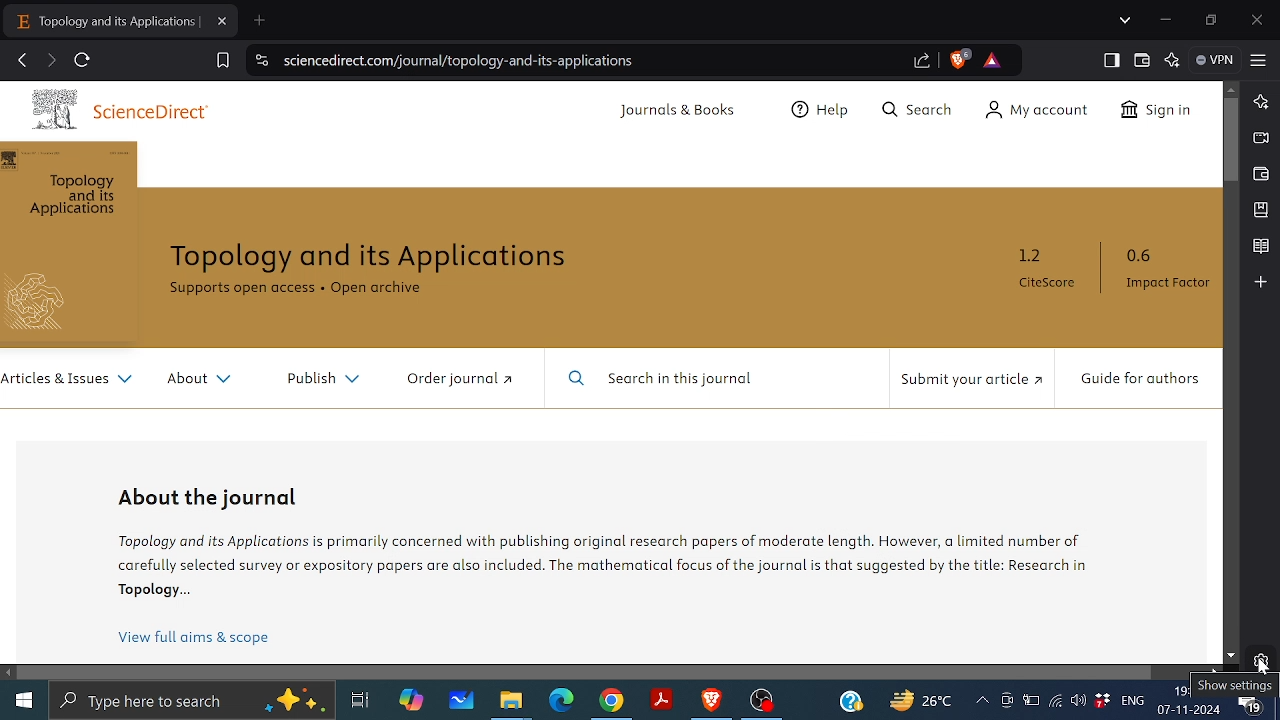 The height and width of the screenshot is (720, 1280). What do you see at coordinates (1214, 60) in the screenshot?
I see `VPN` at bounding box center [1214, 60].